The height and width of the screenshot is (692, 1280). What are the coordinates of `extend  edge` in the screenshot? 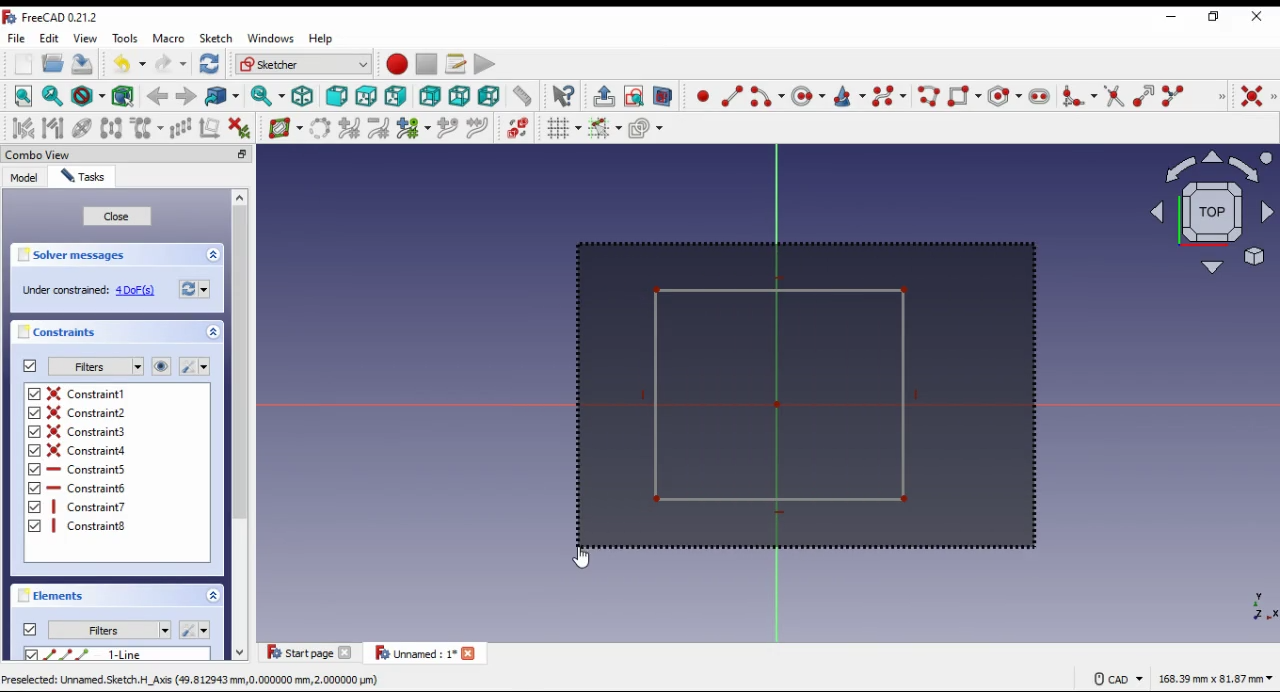 It's located at (1143, 95).